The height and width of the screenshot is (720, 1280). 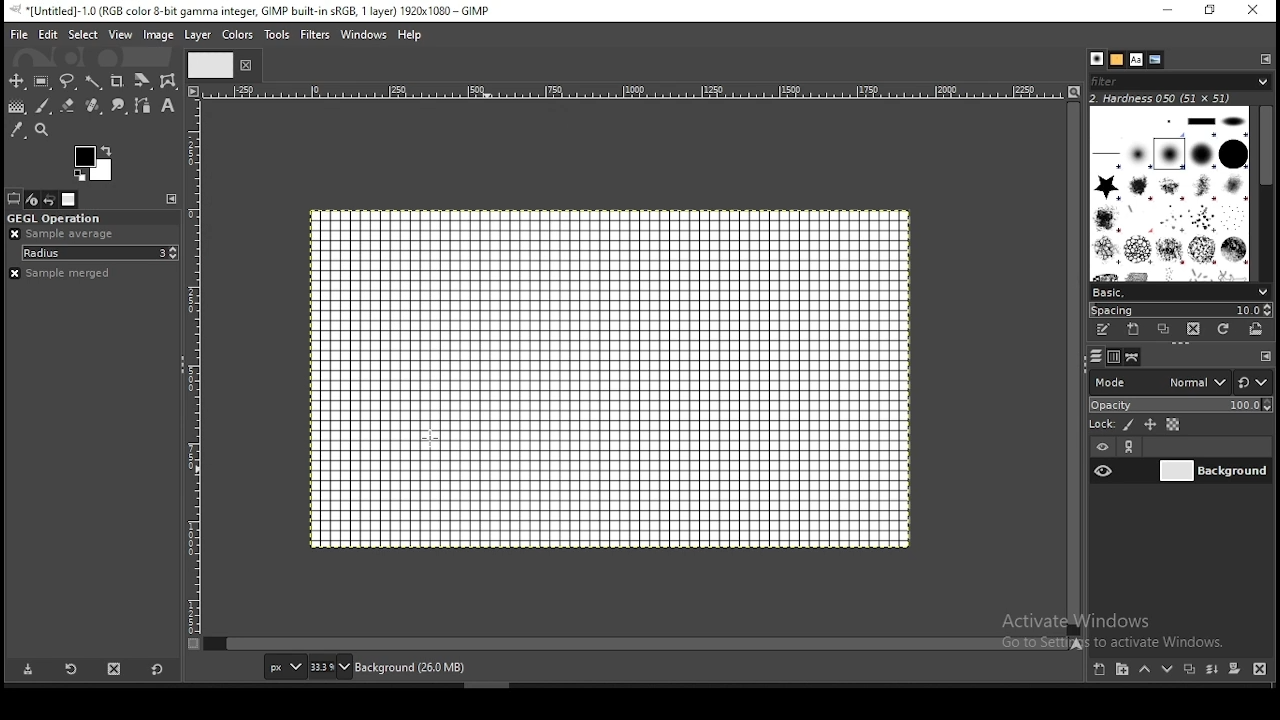 I want to click on add a mask, so click(x=1236, y=670).